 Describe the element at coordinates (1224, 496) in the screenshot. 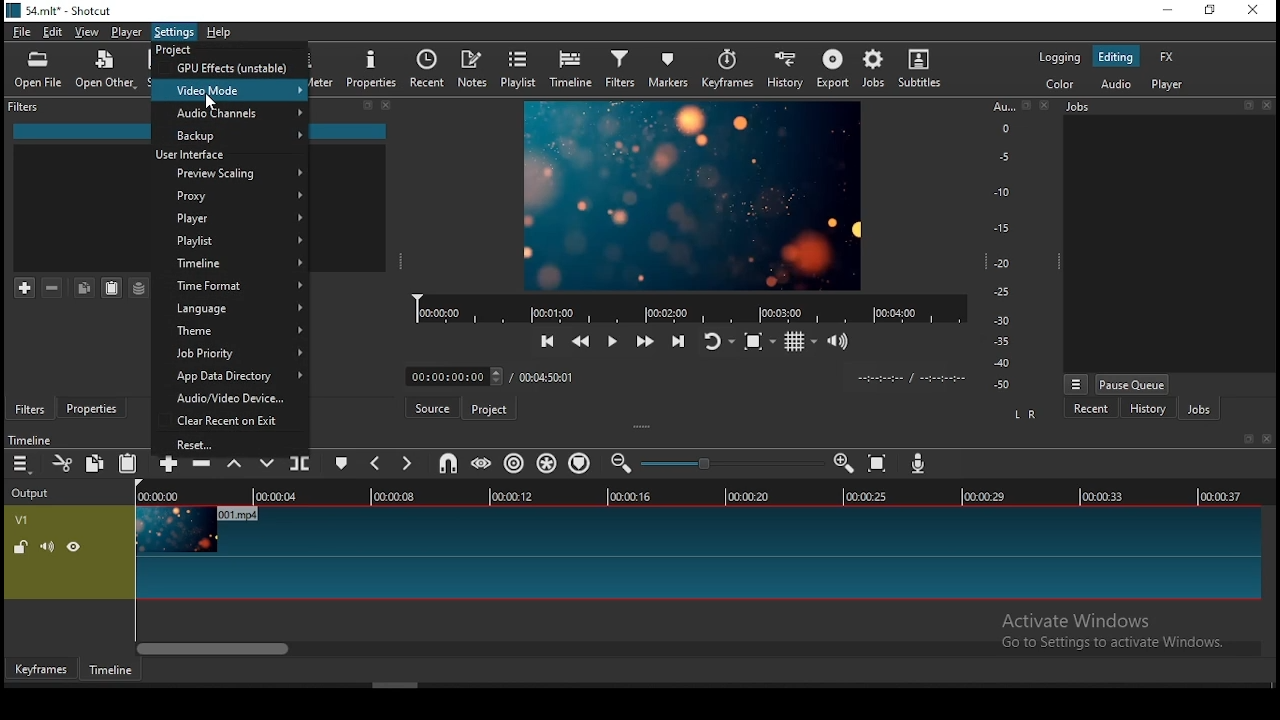

I see `00:00:37` at that location.